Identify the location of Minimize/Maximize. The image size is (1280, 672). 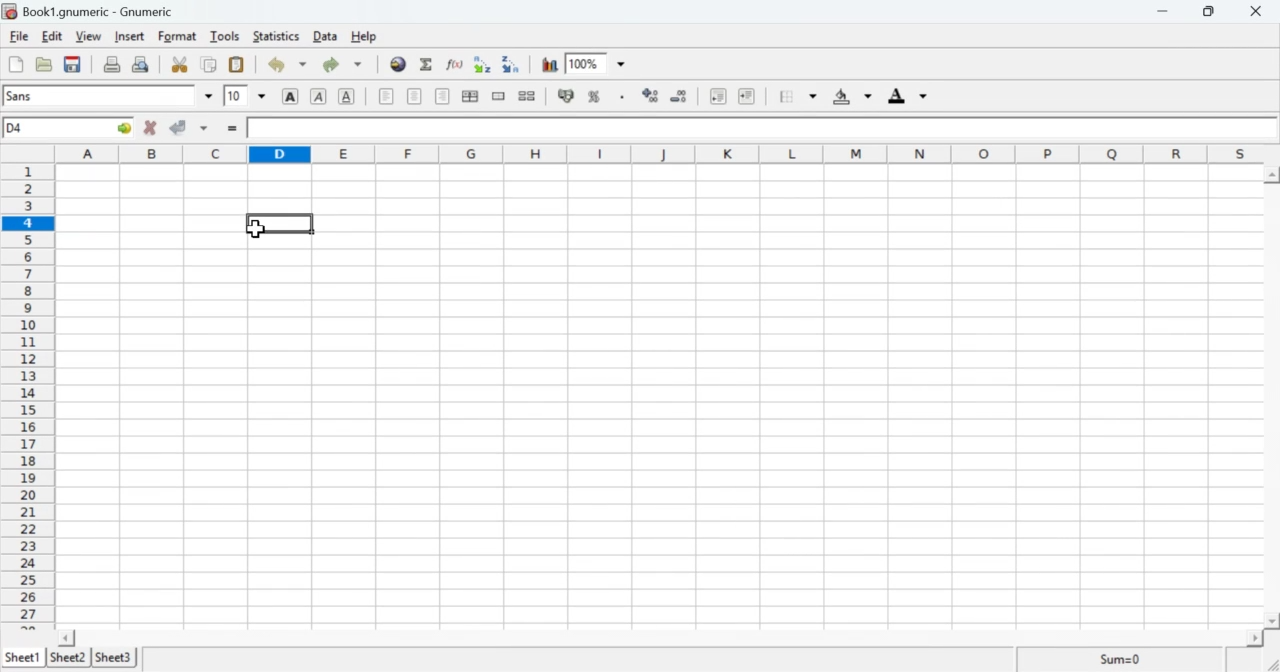
(1215, 11).